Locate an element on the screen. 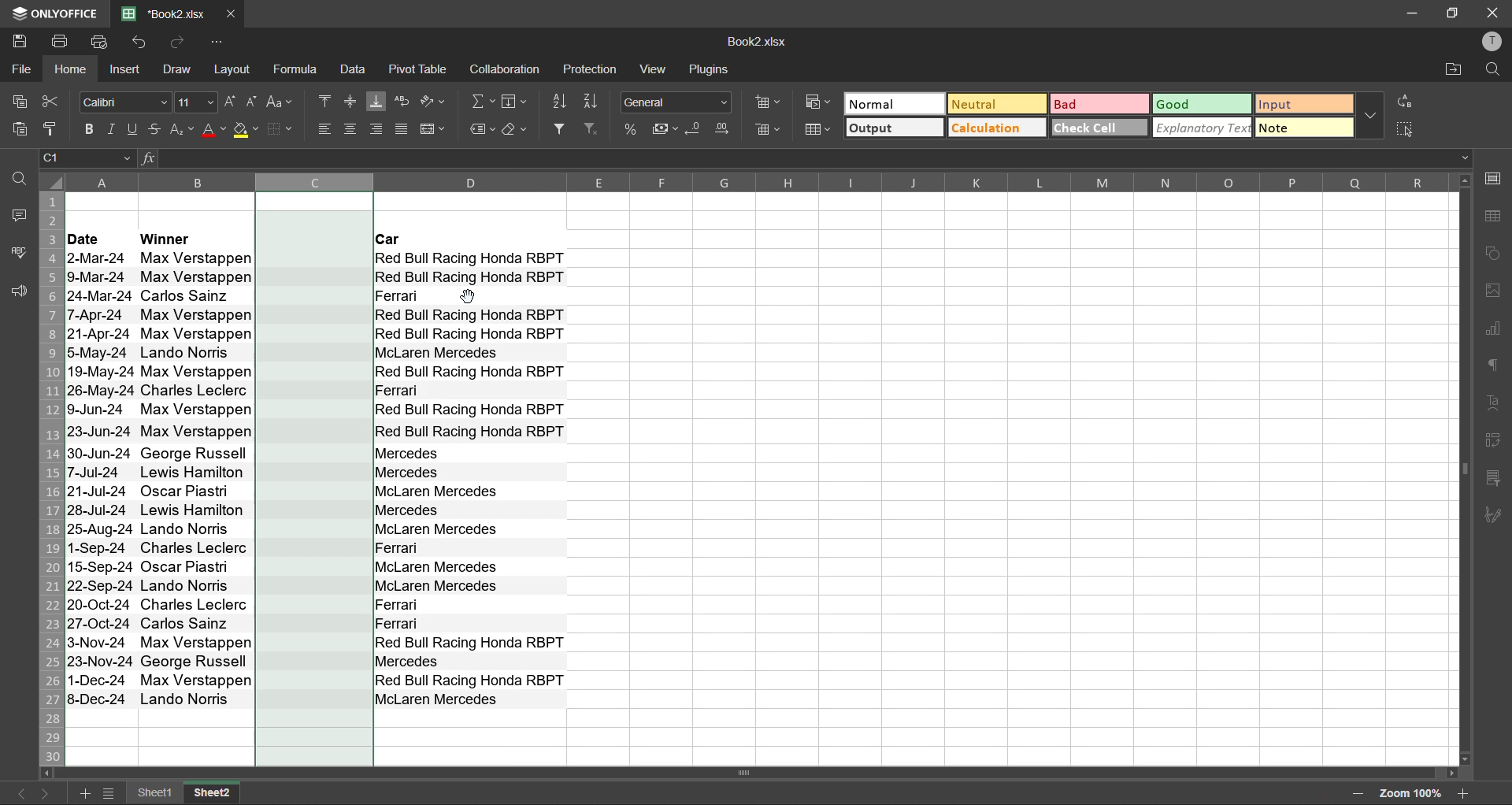 Image resolution: width=1512 pixels, height=805 pixels. underline is located at coordinates (135, 131).